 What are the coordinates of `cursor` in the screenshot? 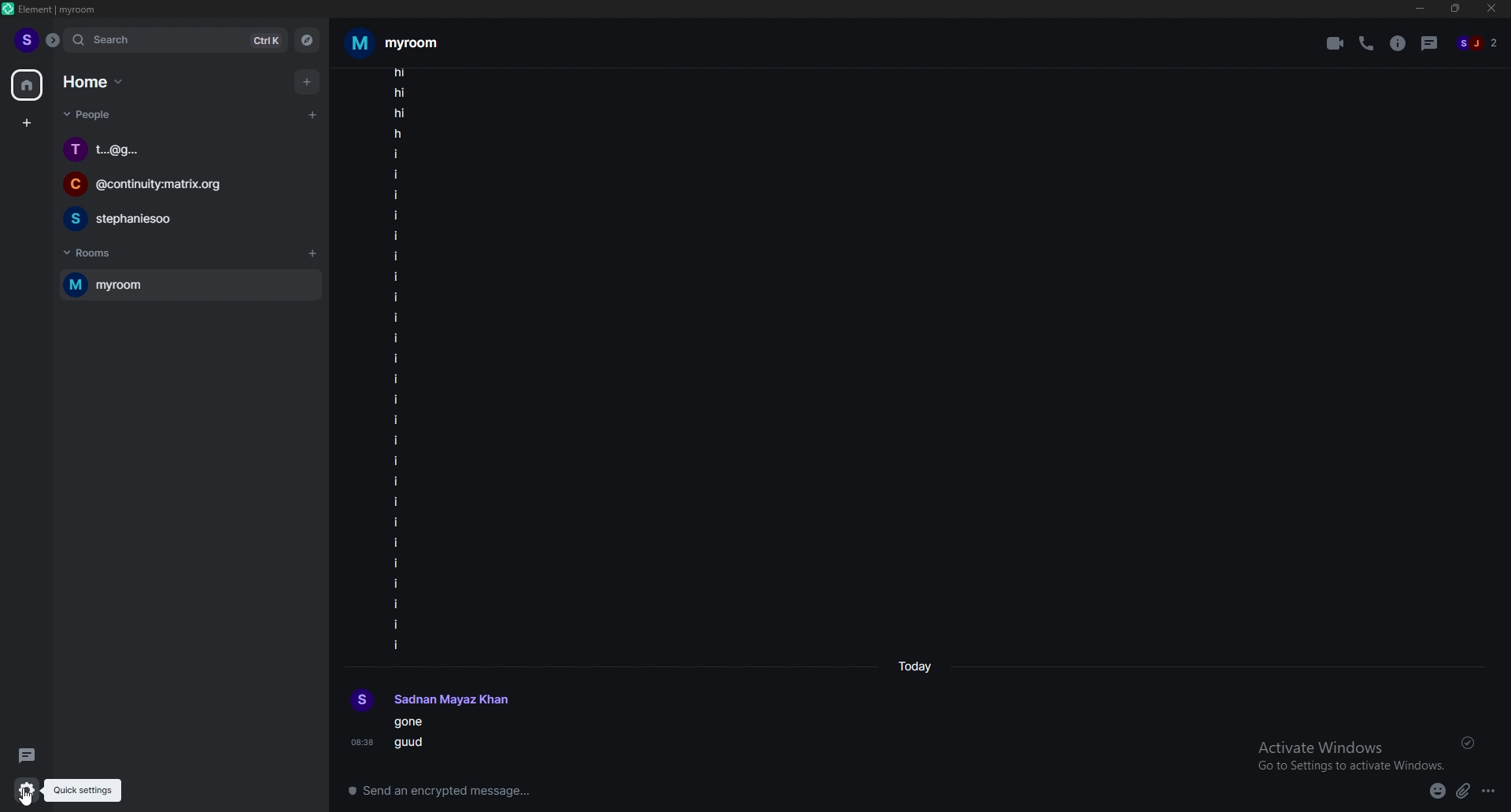 It's located at (43, 795).